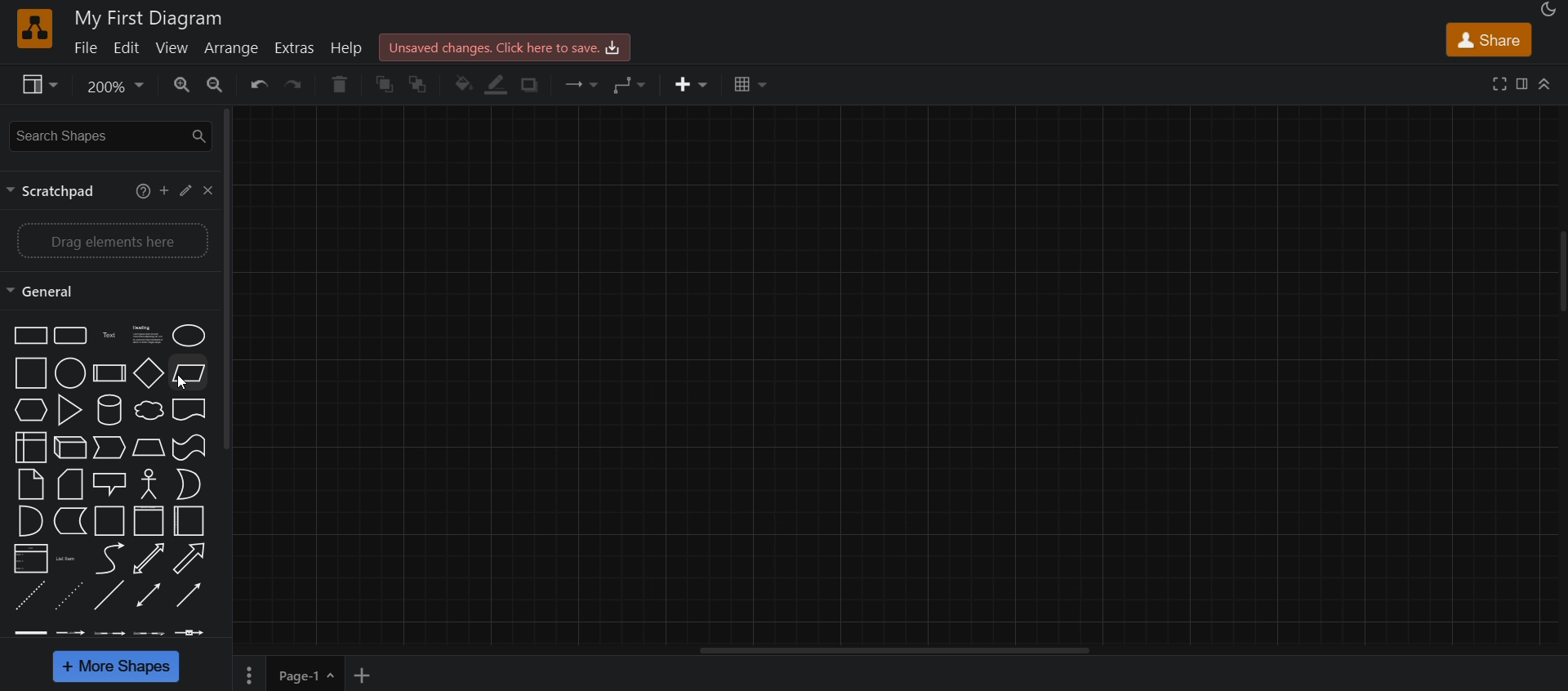 The height and width of the screenshot is (691, 1568). What do you see at coordinates (261, 86) in the screenshot?
I see `undo` at bounding box center [261, 86].